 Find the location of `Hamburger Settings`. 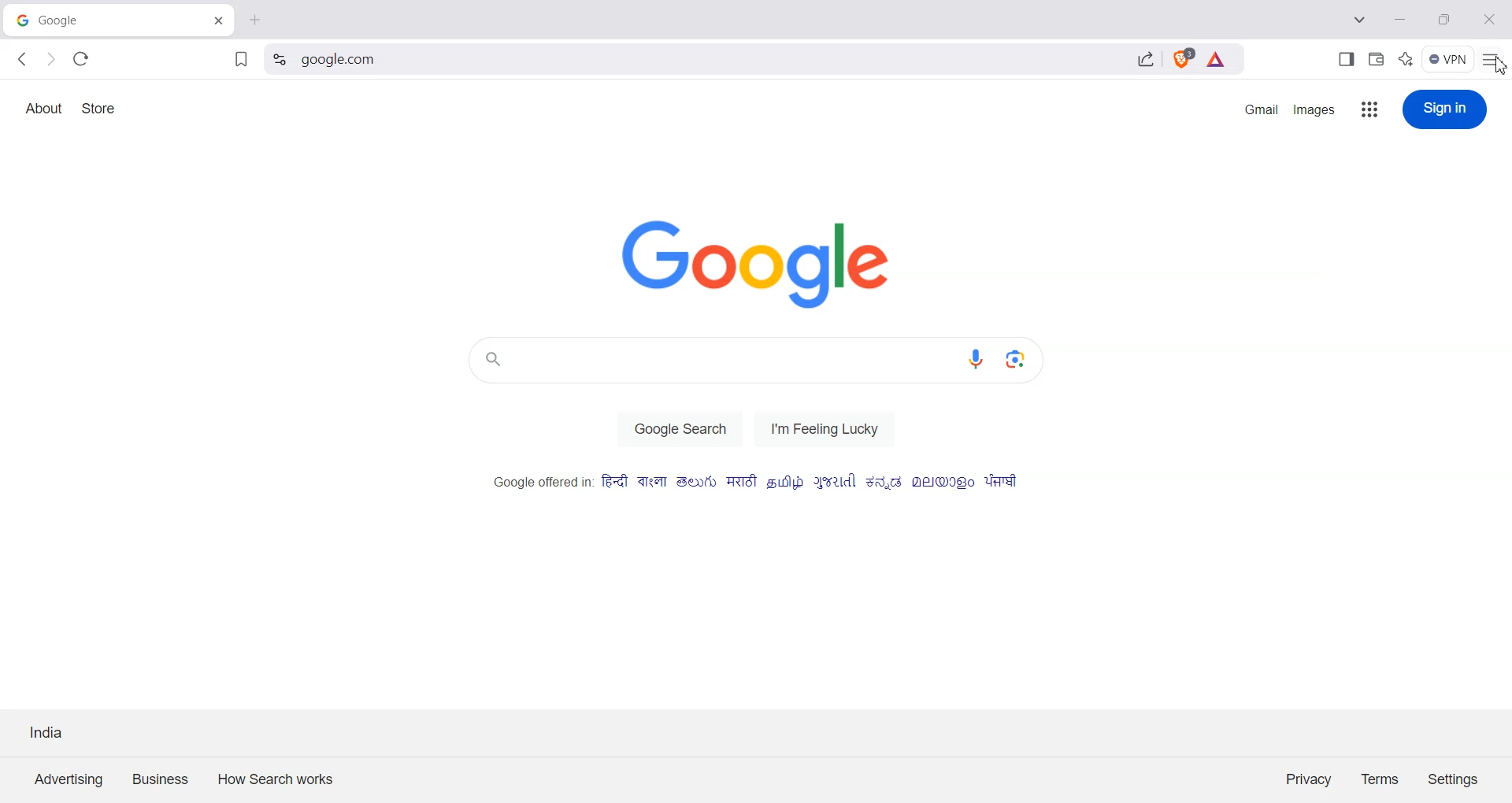

Hamburger Settings is located at coordinates (1494, 58).